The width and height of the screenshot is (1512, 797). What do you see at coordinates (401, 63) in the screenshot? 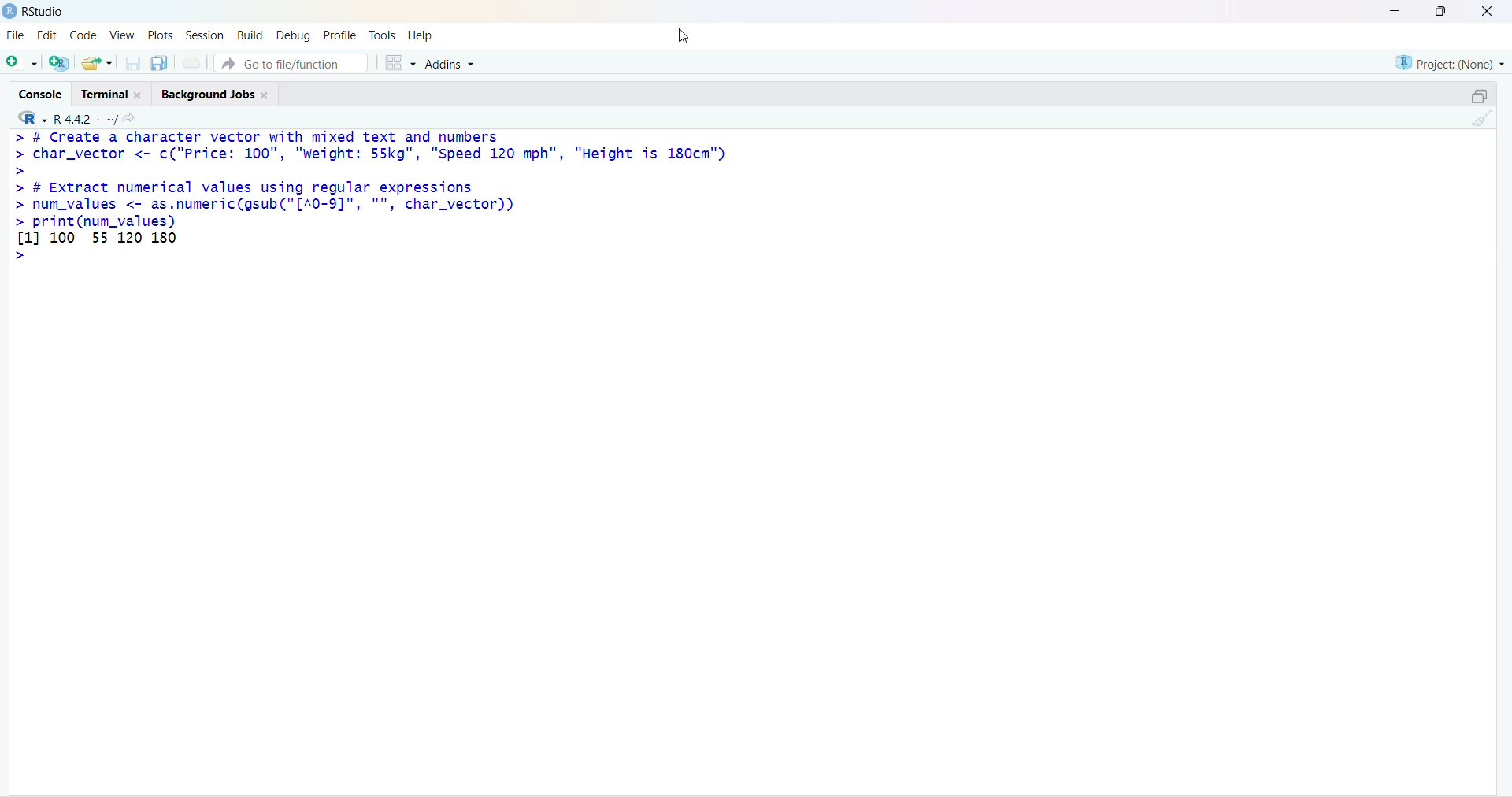
I see `grid view` at bounding box center [401, 63].